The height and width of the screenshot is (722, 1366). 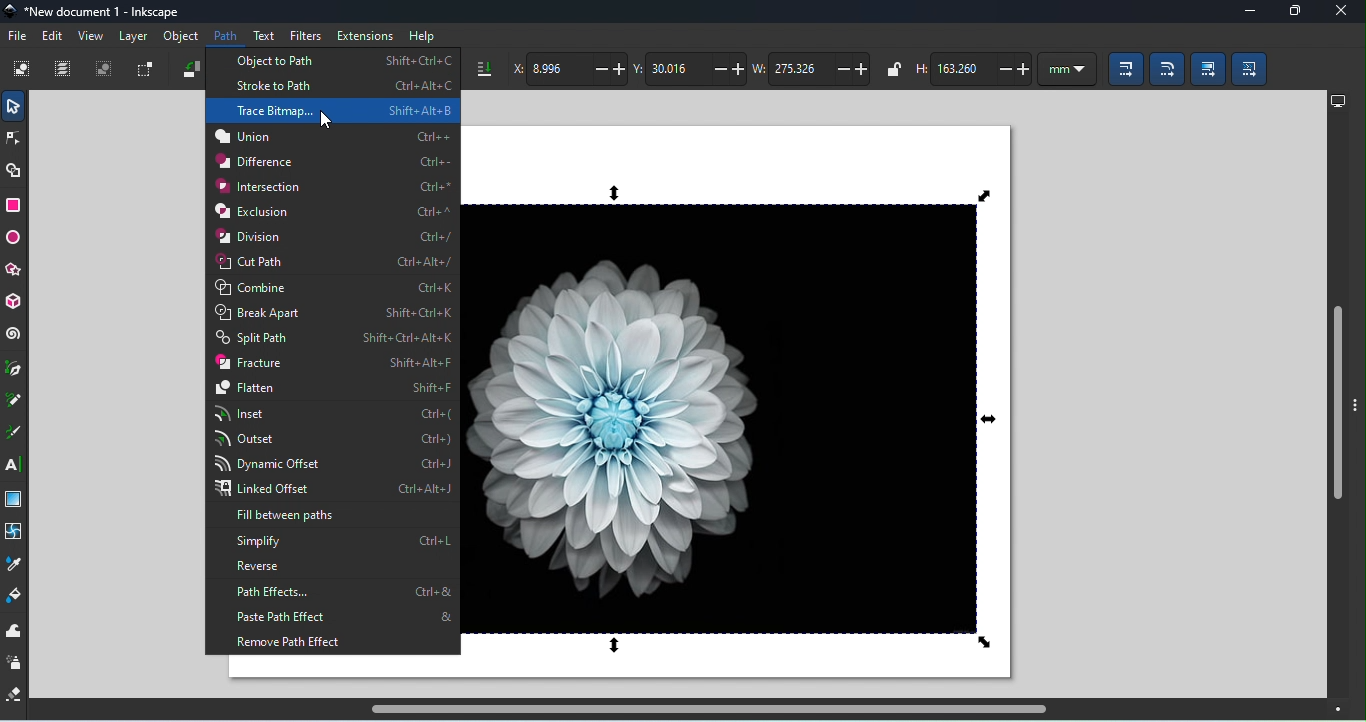 I want to click on Dynamic offset, so click(x=332, y=464).